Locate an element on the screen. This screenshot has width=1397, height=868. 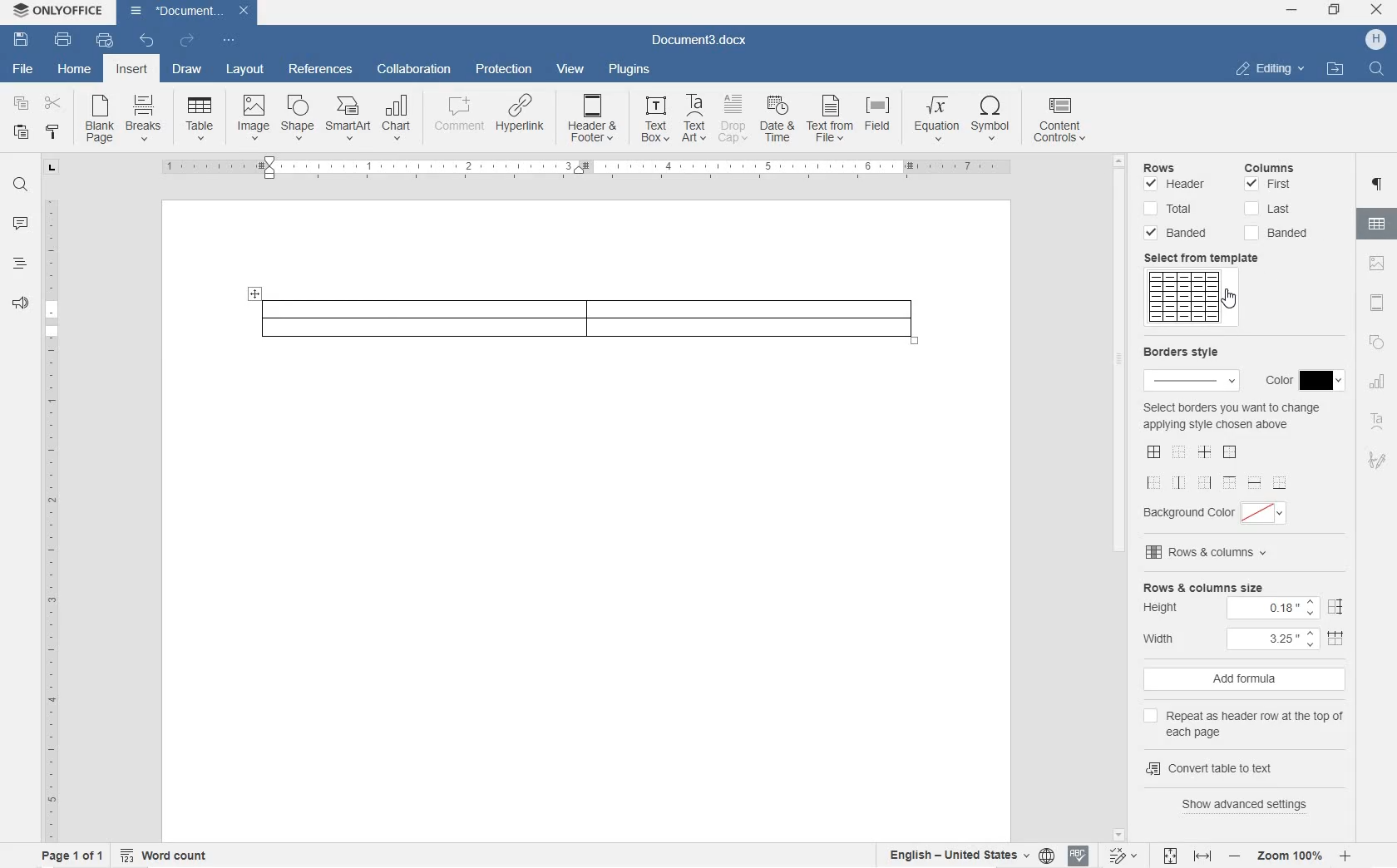
Border Color is located at coordinates (1299, 382).